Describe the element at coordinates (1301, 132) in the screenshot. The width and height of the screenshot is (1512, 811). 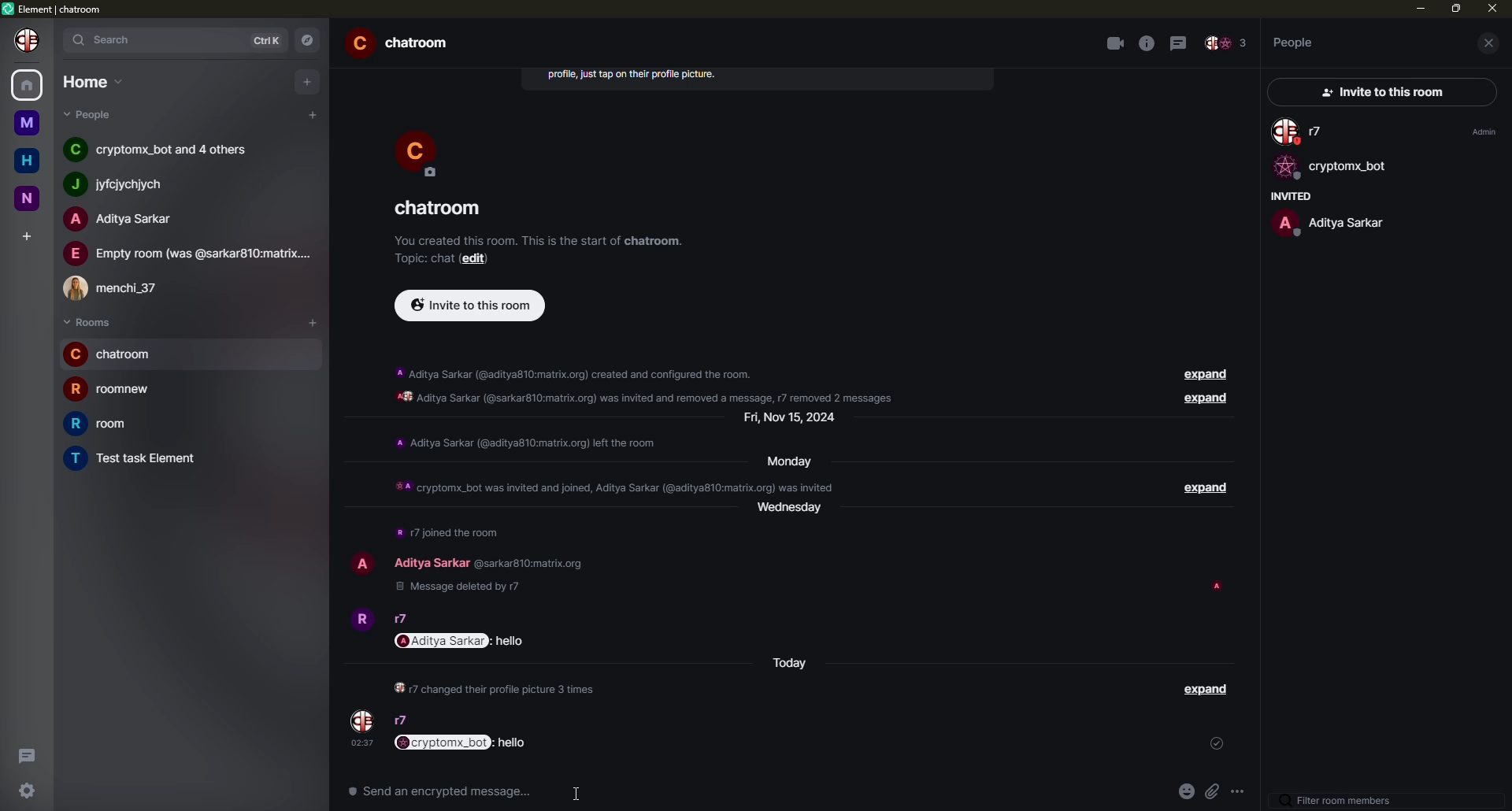
I see `people` at that location.